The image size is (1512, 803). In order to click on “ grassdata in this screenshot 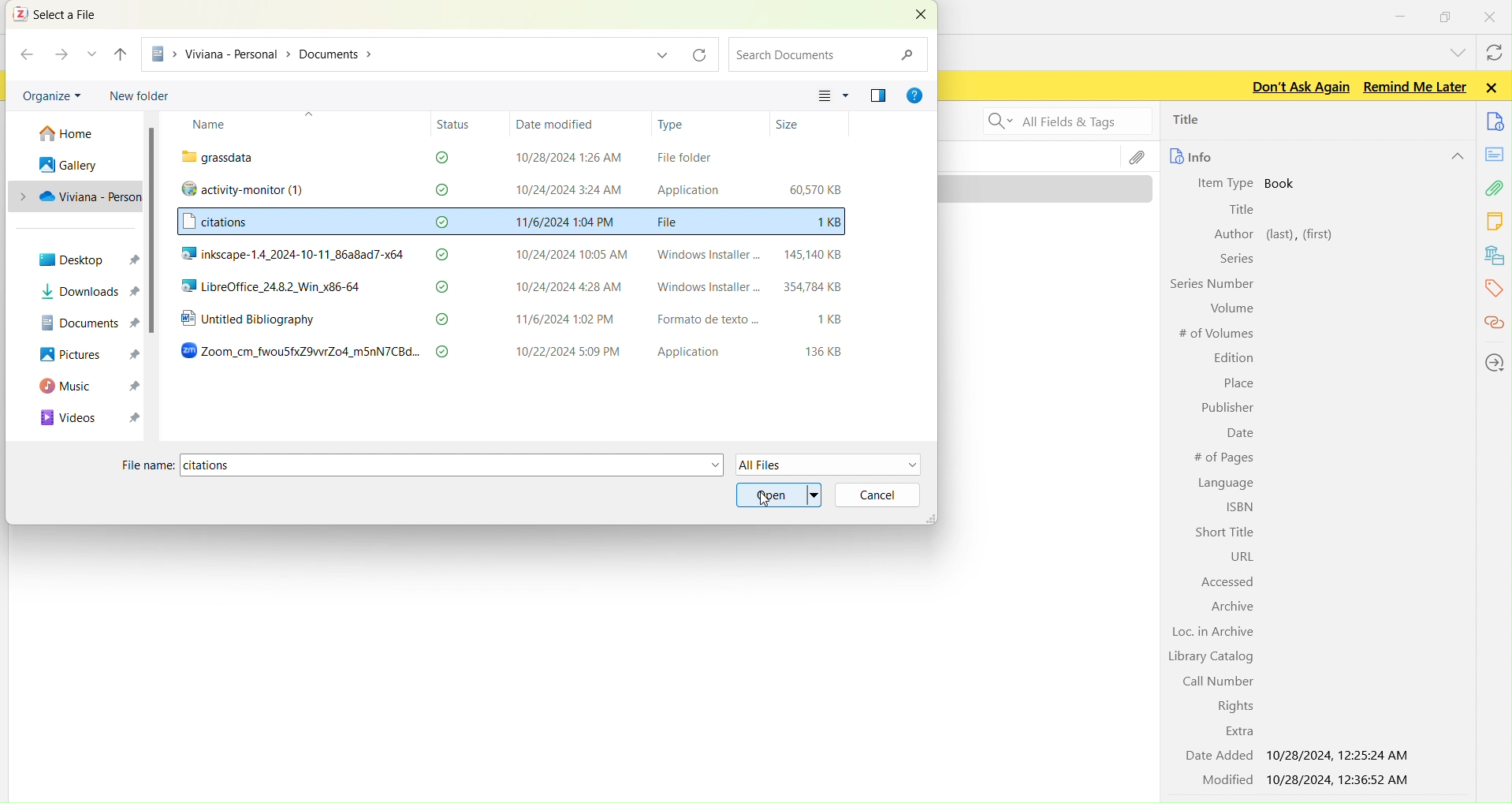, I will do `click(223, 160)`.